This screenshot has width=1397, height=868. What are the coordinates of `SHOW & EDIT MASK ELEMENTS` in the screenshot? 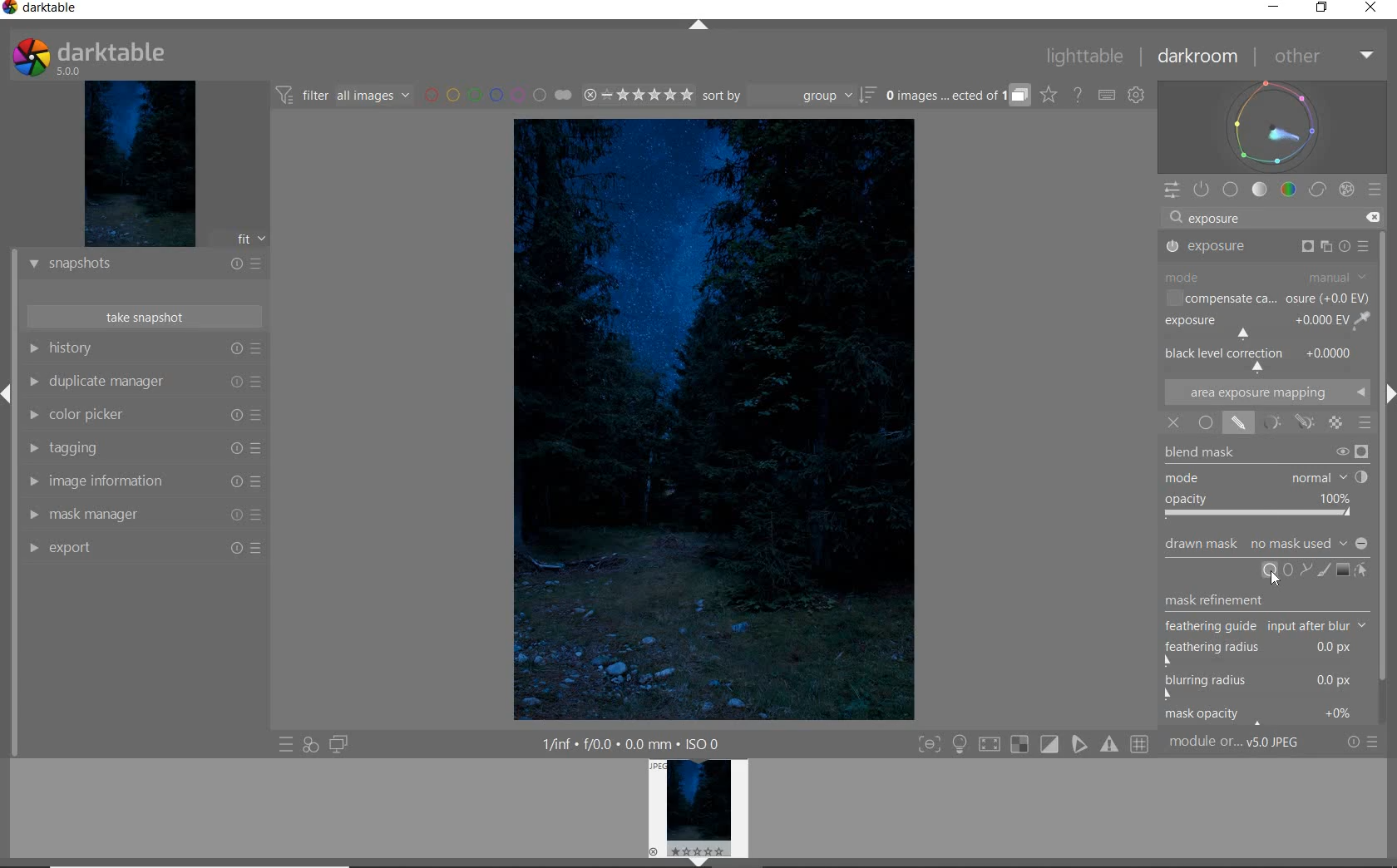 It's located at (1363, 571).